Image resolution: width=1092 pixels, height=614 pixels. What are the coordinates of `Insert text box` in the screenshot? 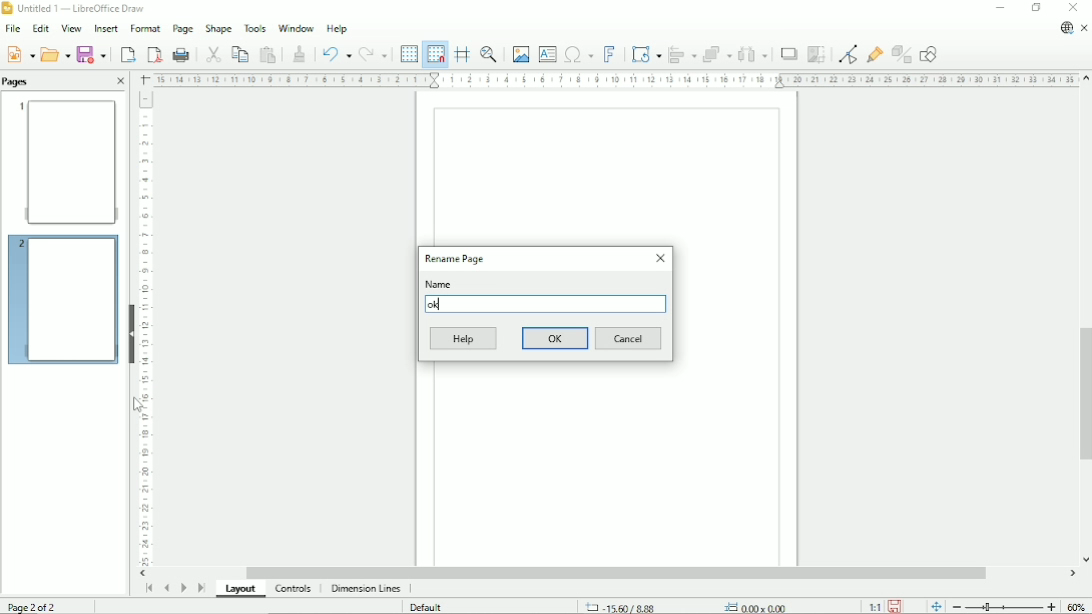 It's located at (547, 53).